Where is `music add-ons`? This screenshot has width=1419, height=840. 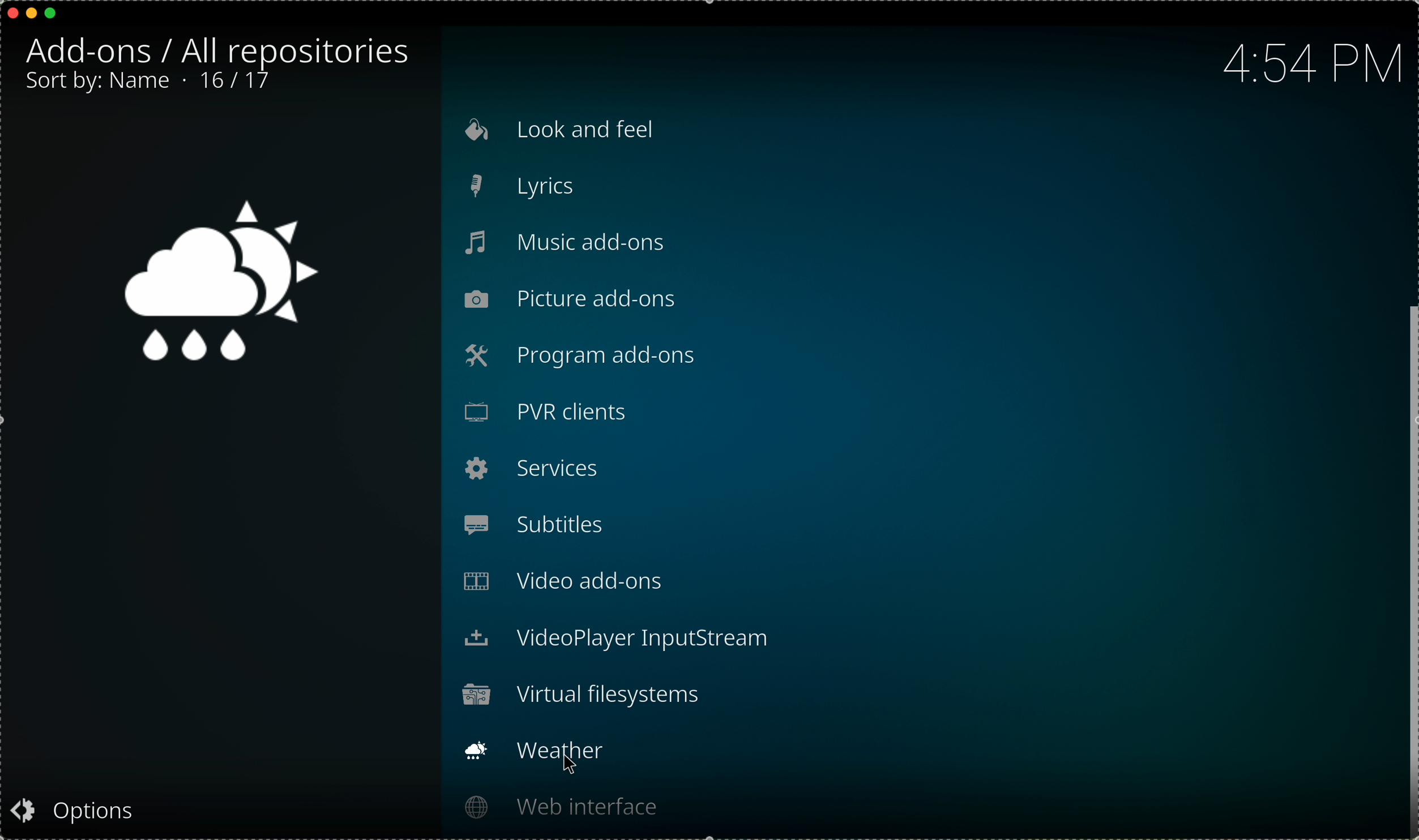 music add-ons is located at coordinates (571, 243).